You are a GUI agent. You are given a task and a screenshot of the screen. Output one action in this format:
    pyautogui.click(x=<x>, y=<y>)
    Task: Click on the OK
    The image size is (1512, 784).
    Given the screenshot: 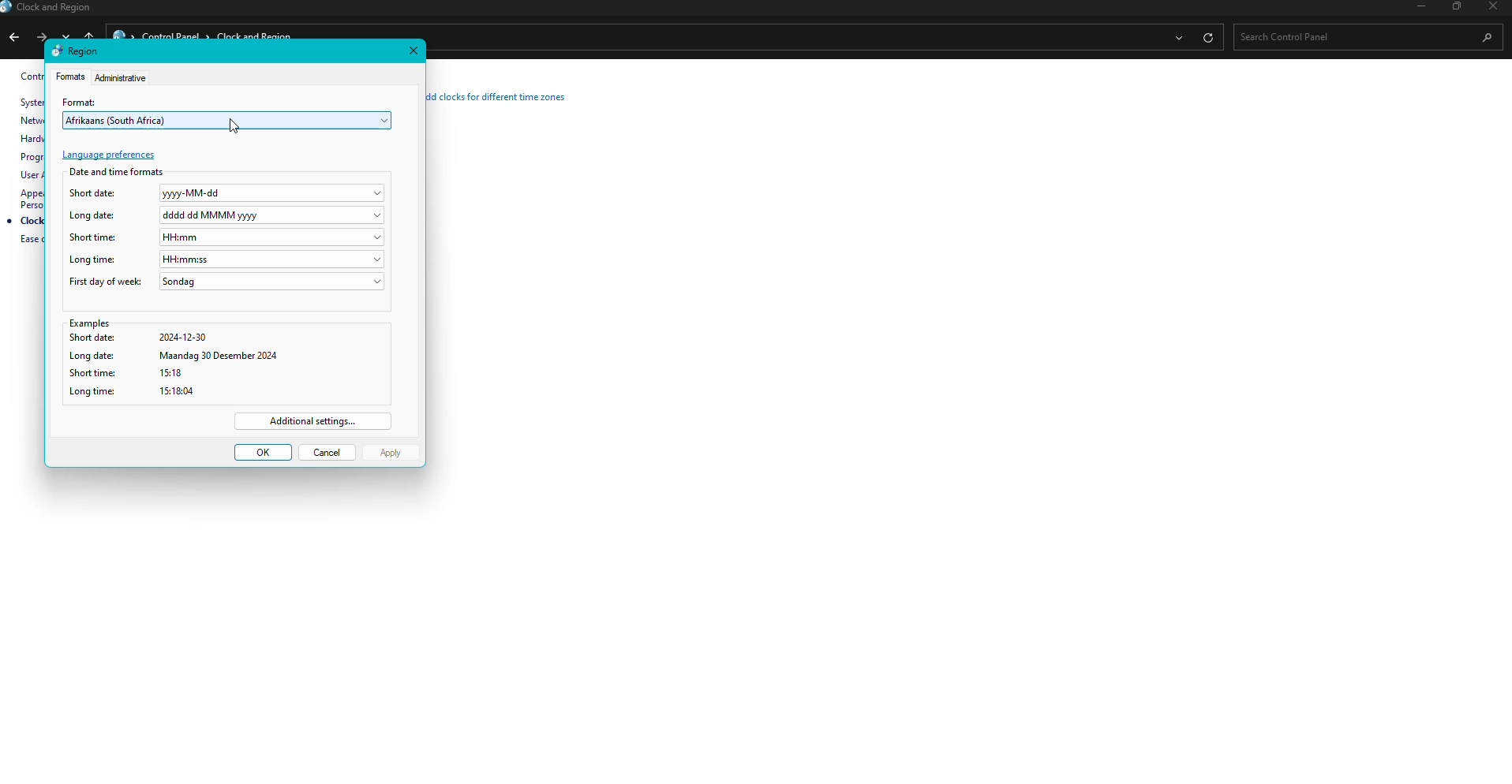 What is the action you would take?
    pyautogui.click(x=263, y=453)
    